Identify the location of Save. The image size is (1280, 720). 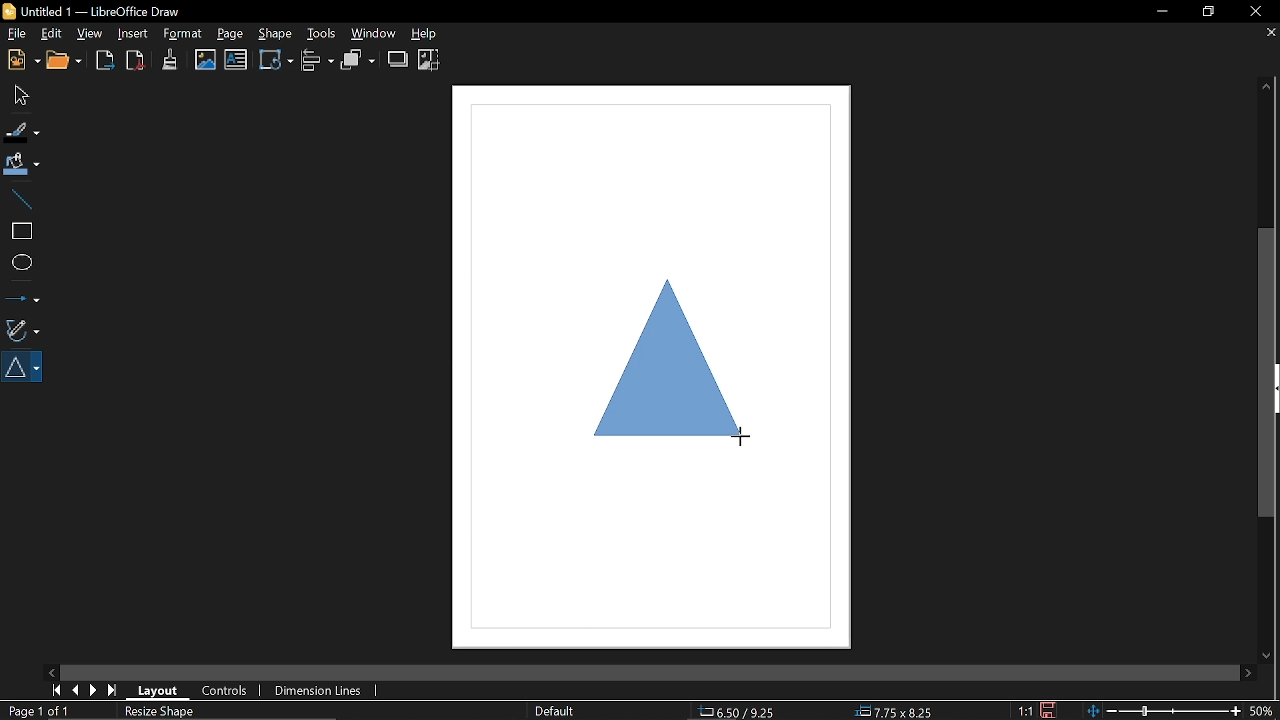
(1048, 710).